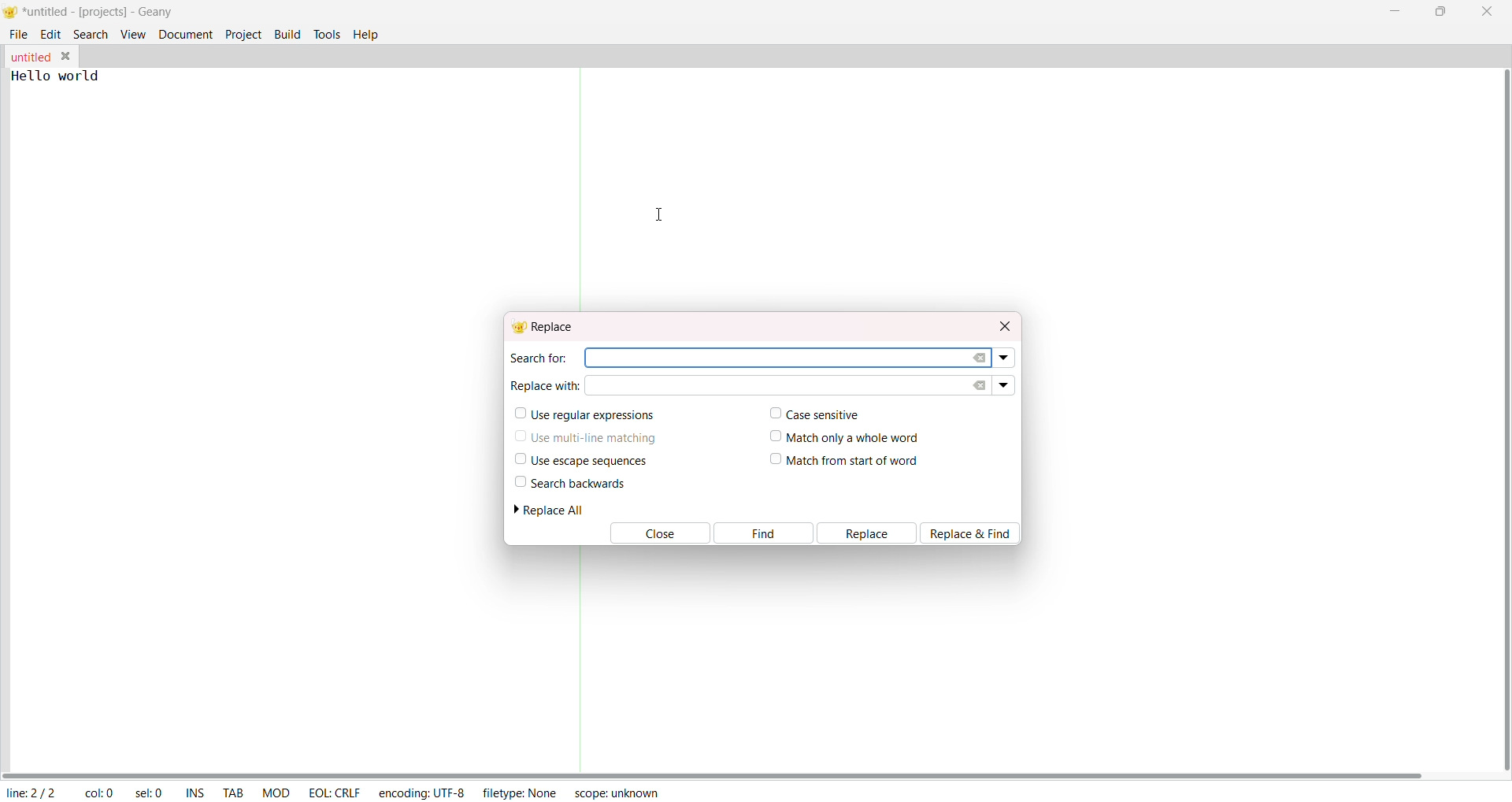  I want to click on mod, so click(276, 792).